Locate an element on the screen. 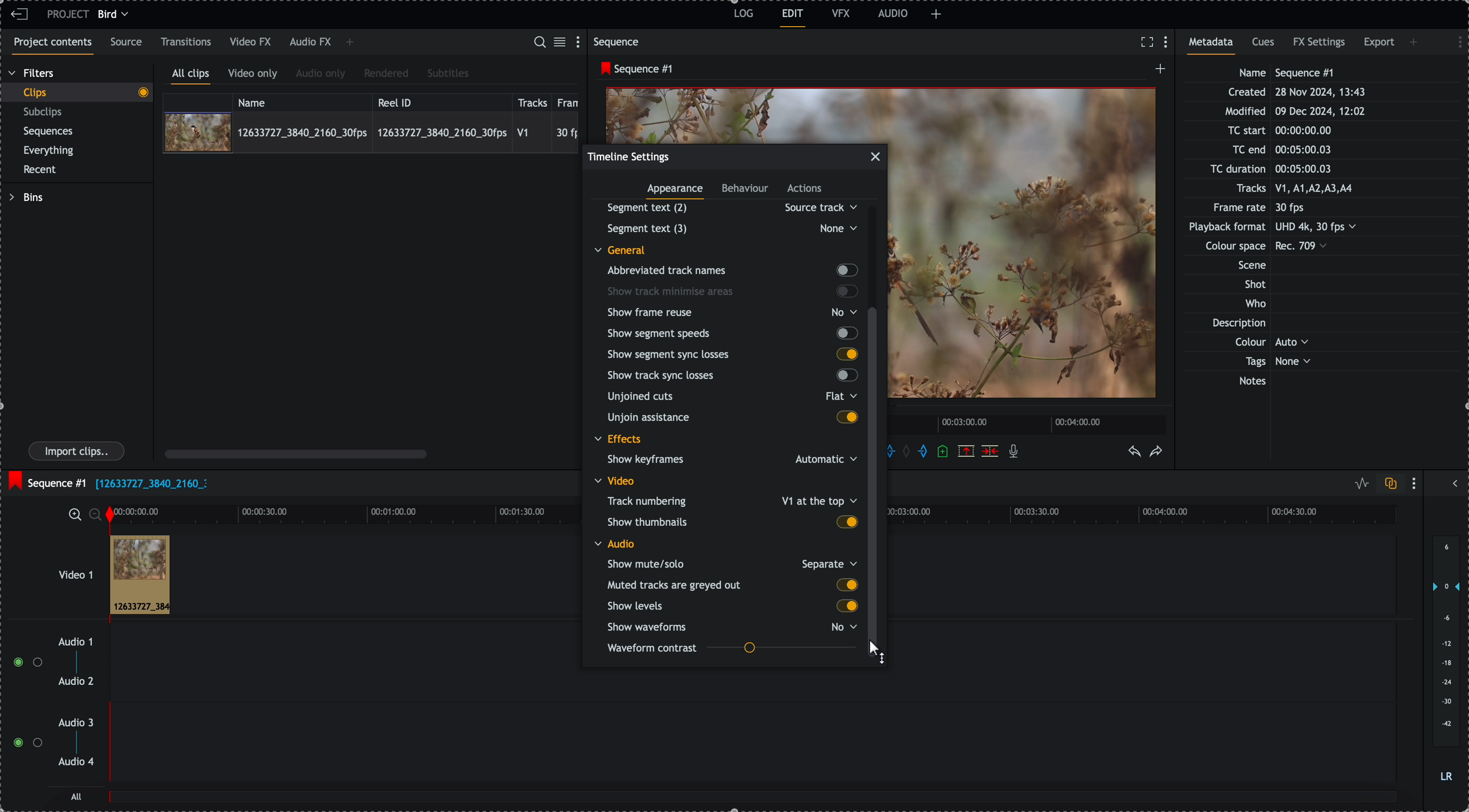 Image resolution: width=1469 pixels, height=812 pixels. cues is located at coordinates (1264, 46).